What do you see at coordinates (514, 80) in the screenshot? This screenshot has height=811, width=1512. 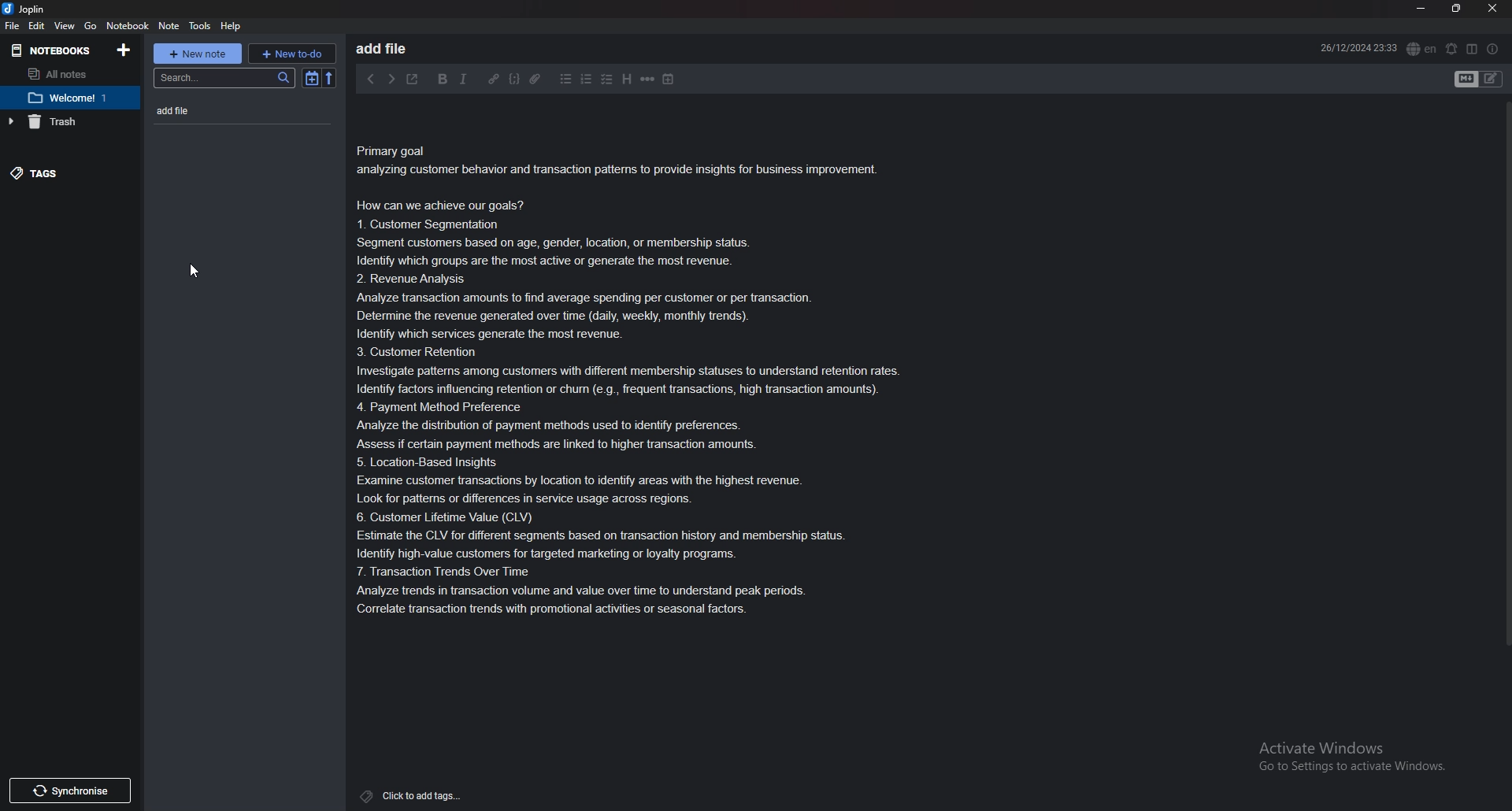 I see `code` at bounding box center [514, 80].